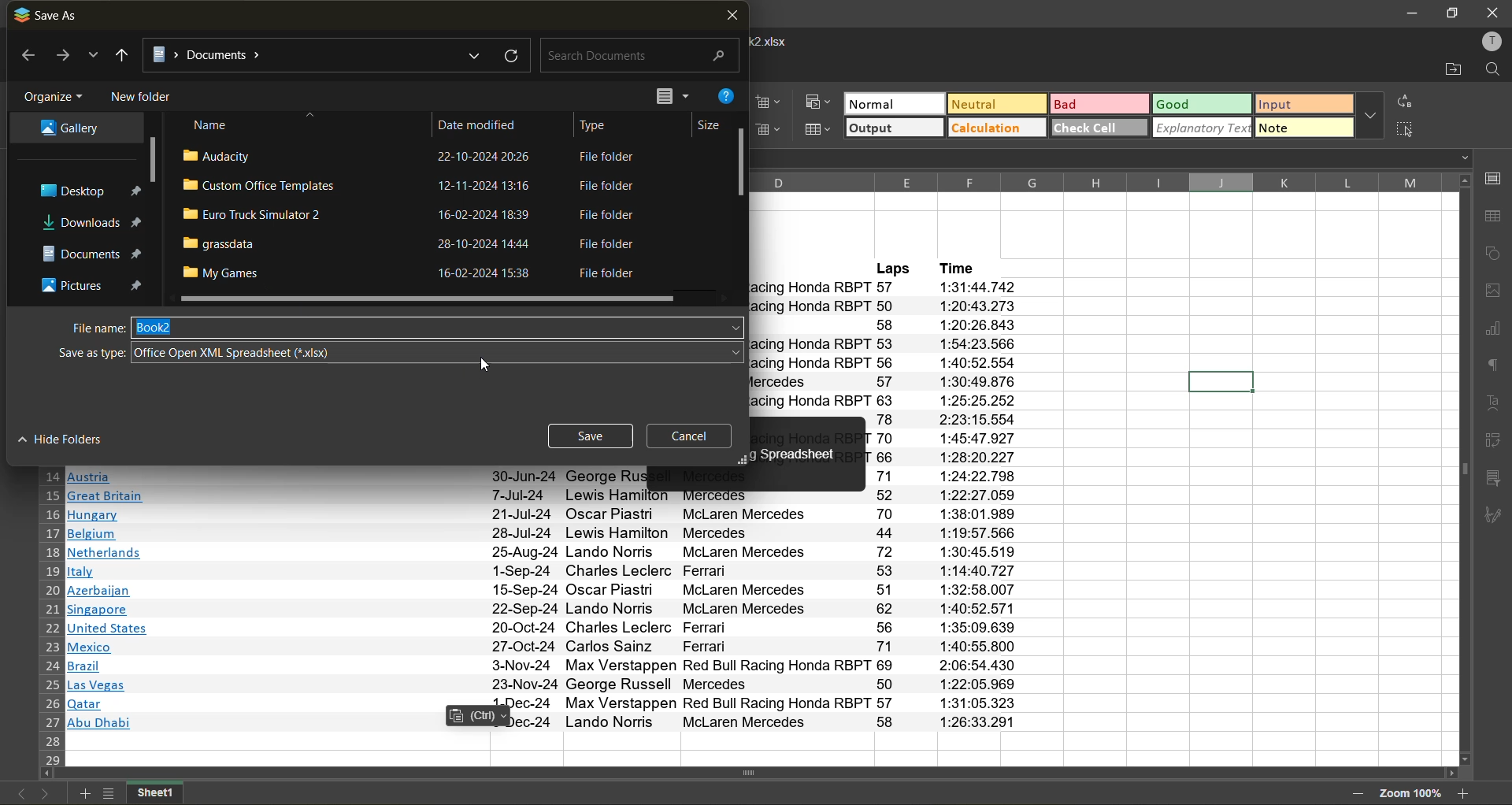 This screenshot has width=1512, height=805. What do you see at coordinates (1410, 131) in the screenshot?
I see `select all` at bounding box center [1410, 131].